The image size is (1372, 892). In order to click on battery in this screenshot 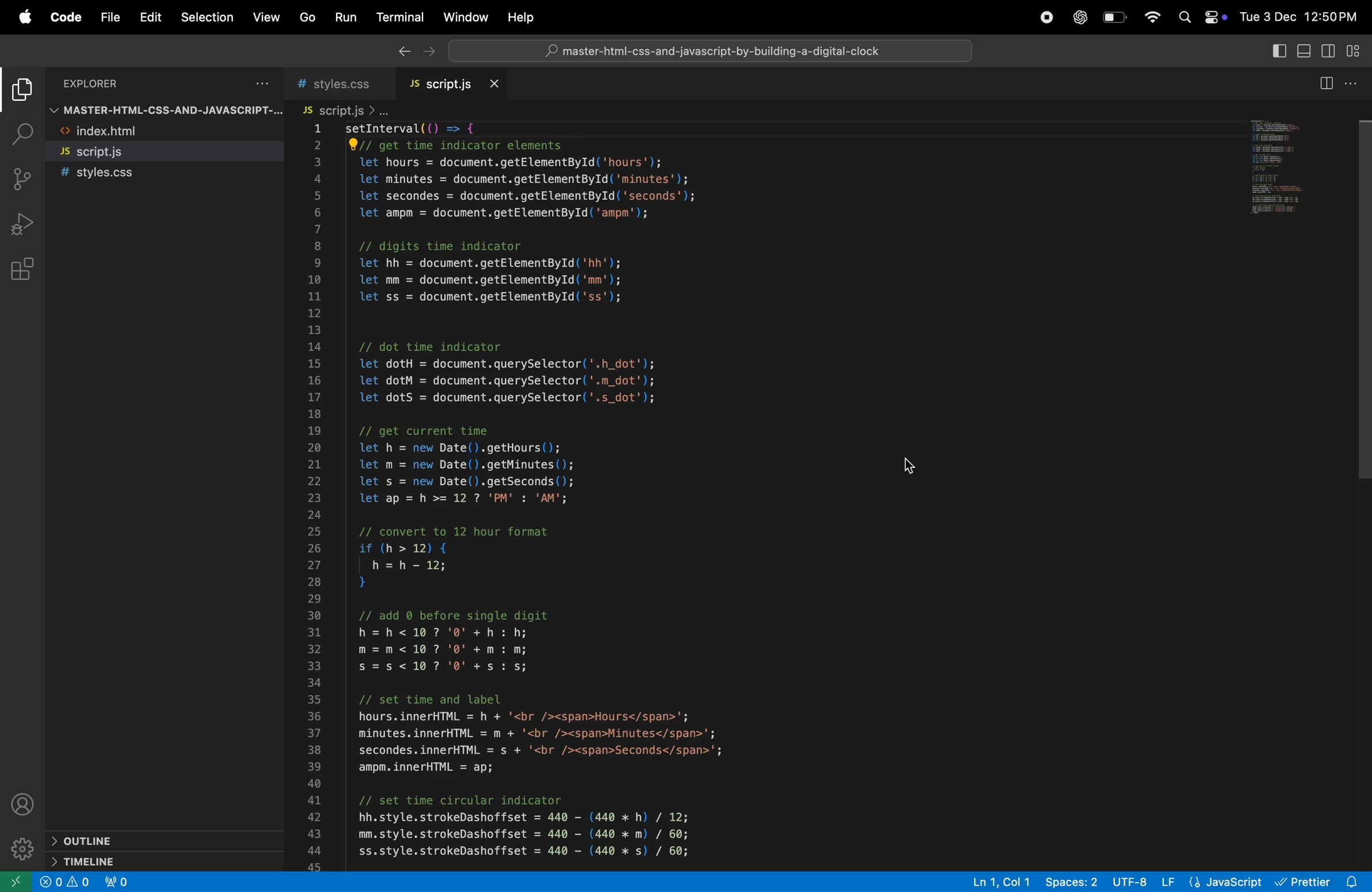, I will do `click(1117, 17)`.